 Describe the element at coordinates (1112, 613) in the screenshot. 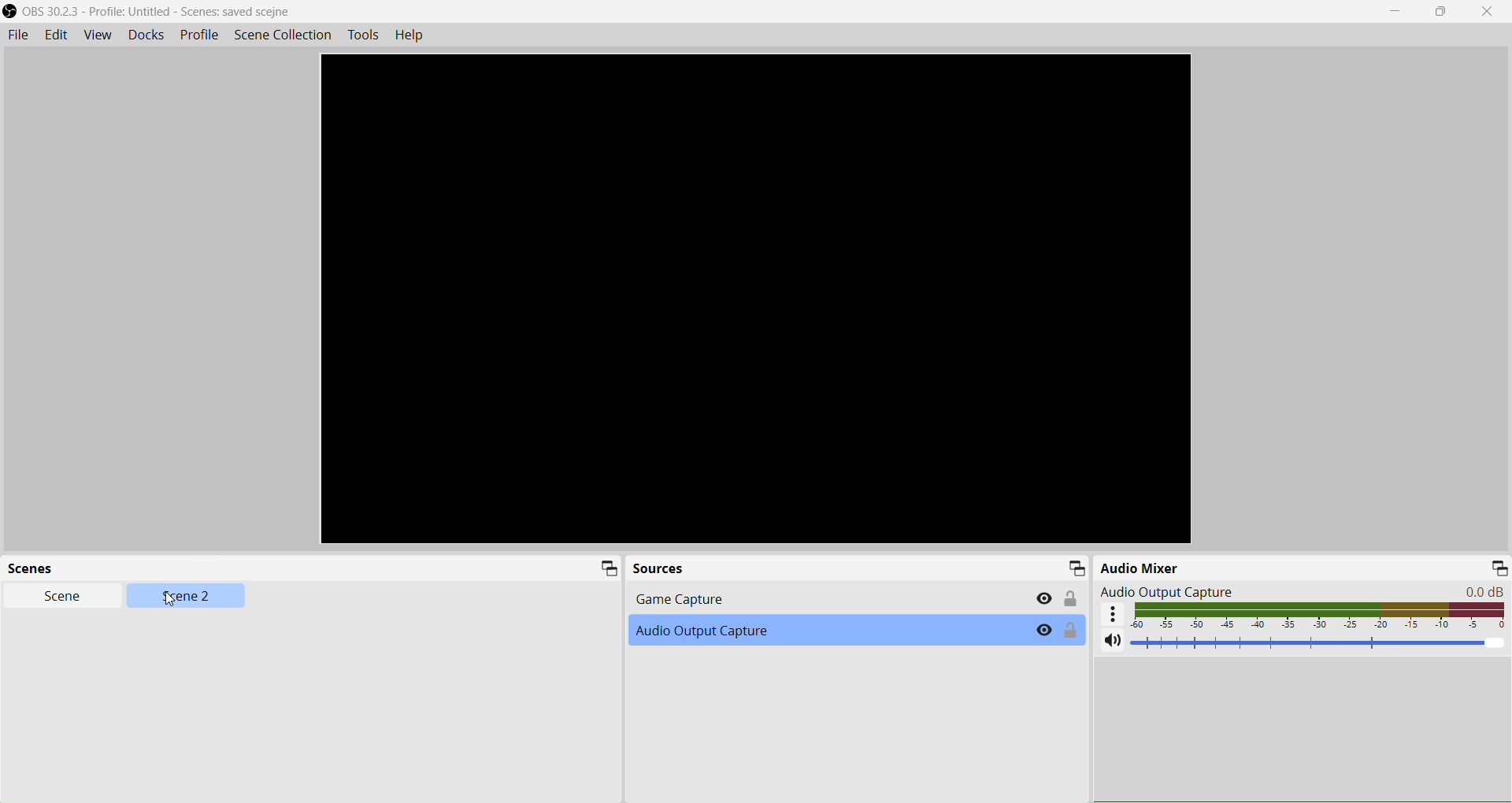

I see `More` at that location.